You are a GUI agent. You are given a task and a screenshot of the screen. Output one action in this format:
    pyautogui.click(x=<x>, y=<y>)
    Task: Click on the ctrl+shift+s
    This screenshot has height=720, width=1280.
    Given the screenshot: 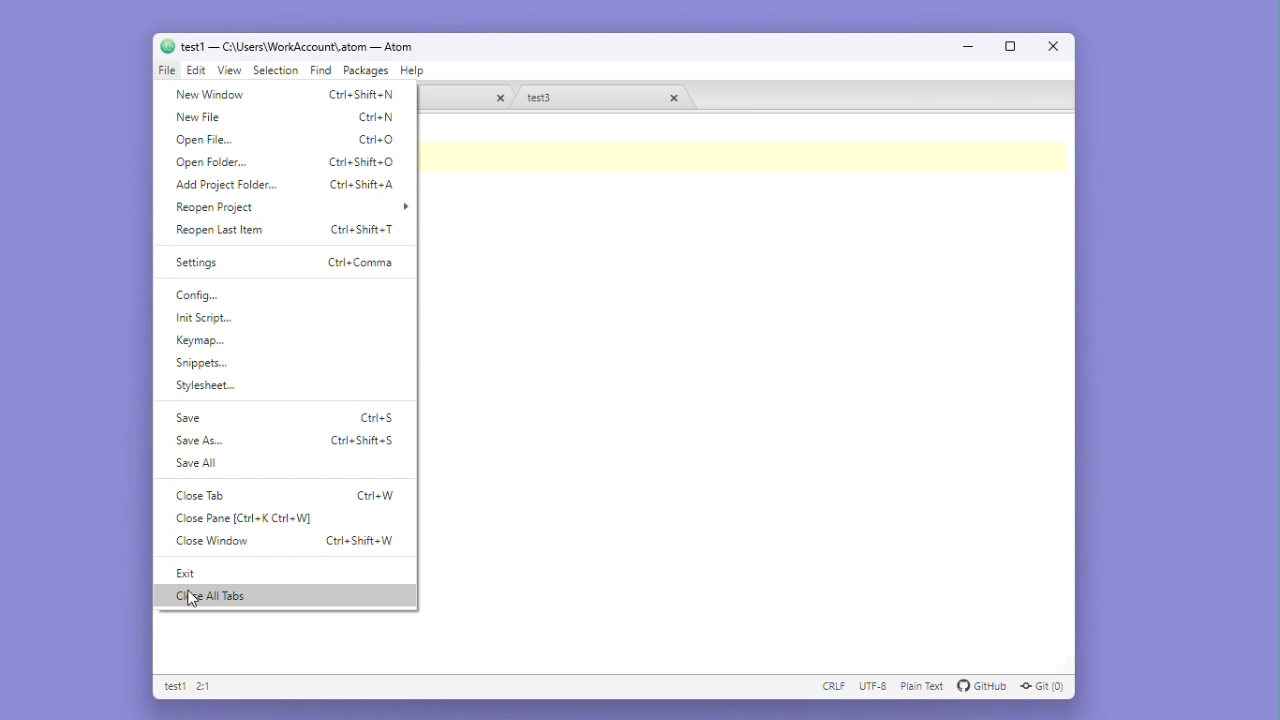 What is the action you would take?
    pyautogui.click(x=369, y=440)
    